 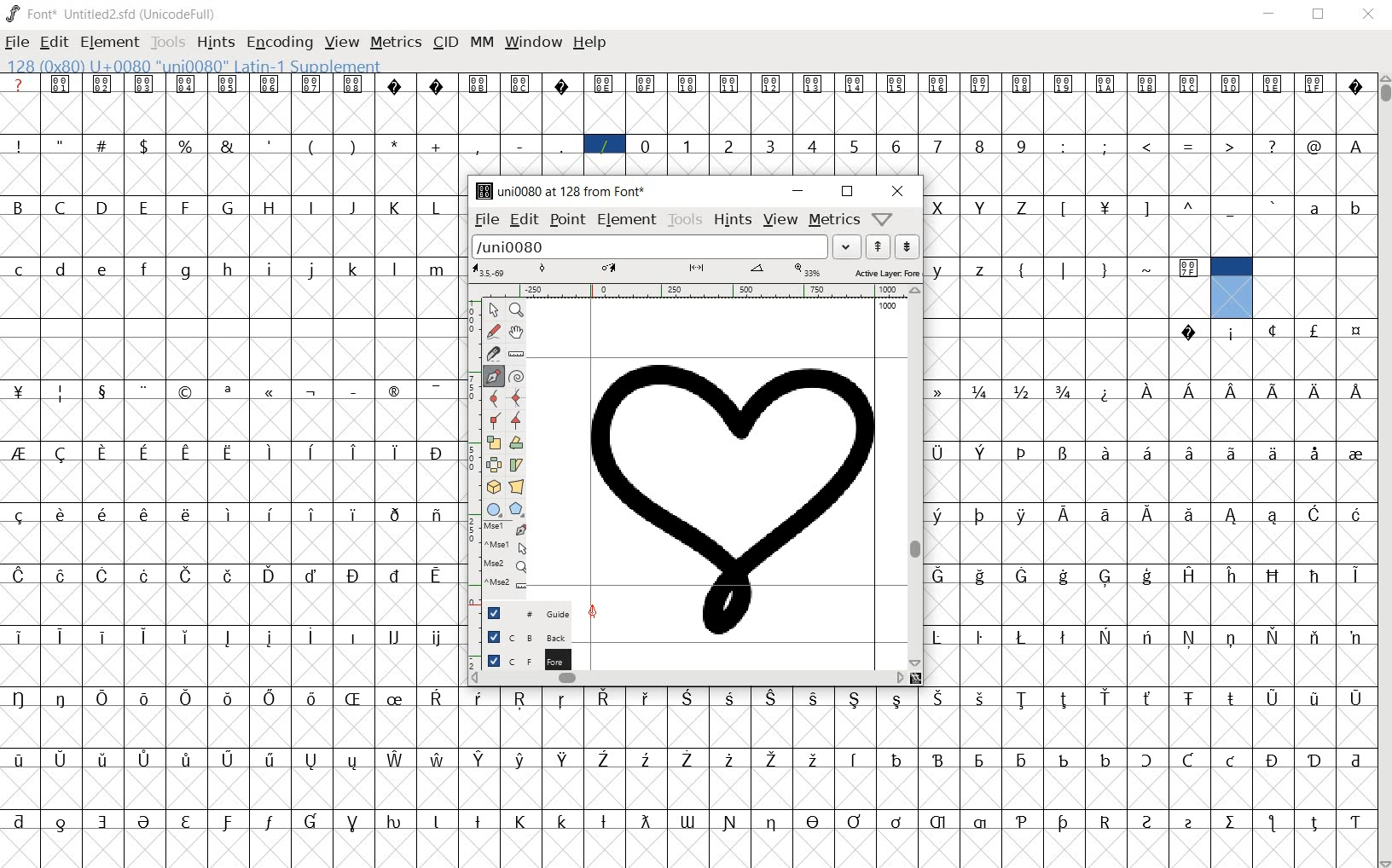 I want to click on glyph, so click(x=1355, y=699).